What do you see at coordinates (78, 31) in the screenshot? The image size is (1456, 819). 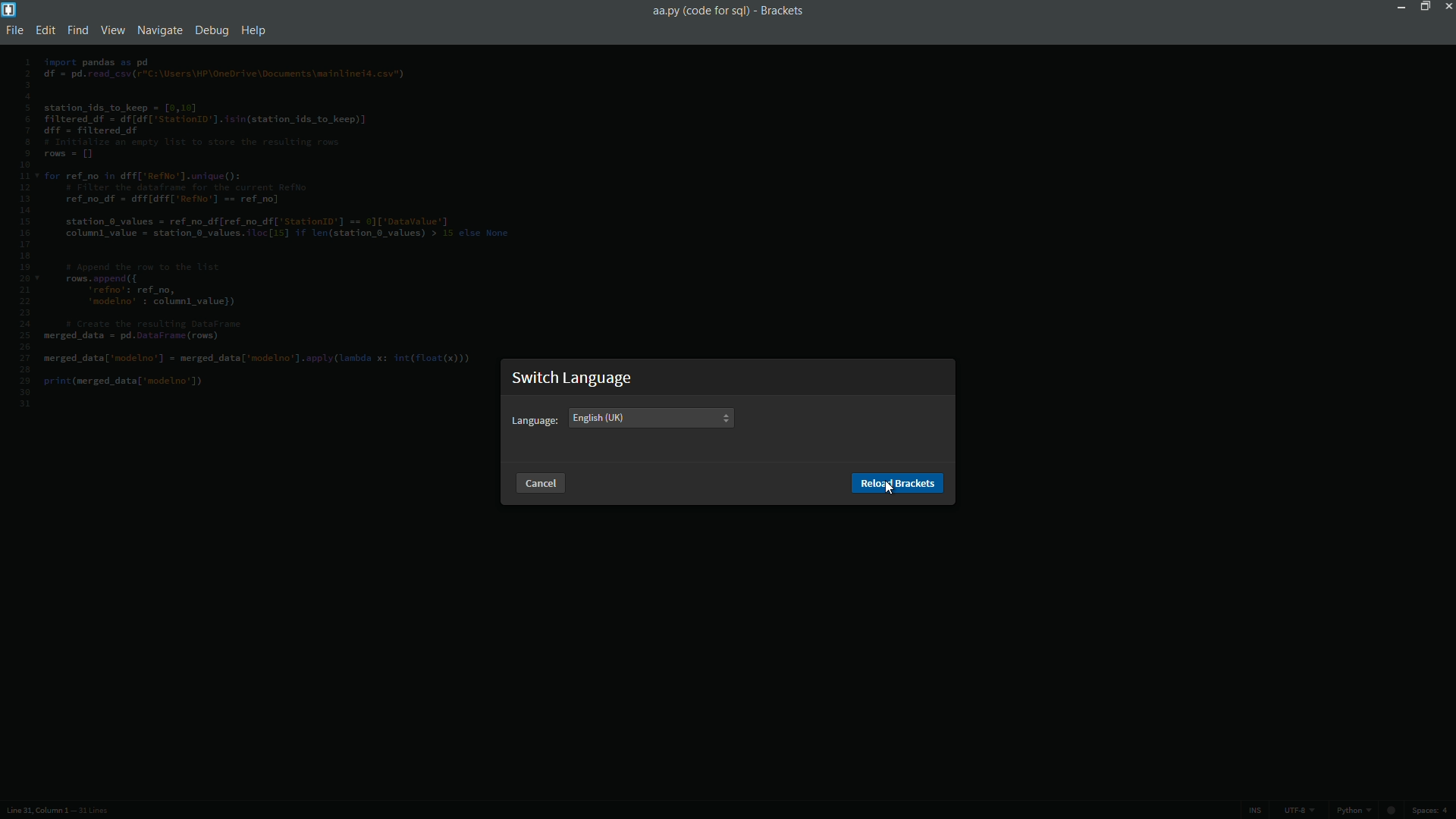 I see `find menu` at bounding box center [78, 31].